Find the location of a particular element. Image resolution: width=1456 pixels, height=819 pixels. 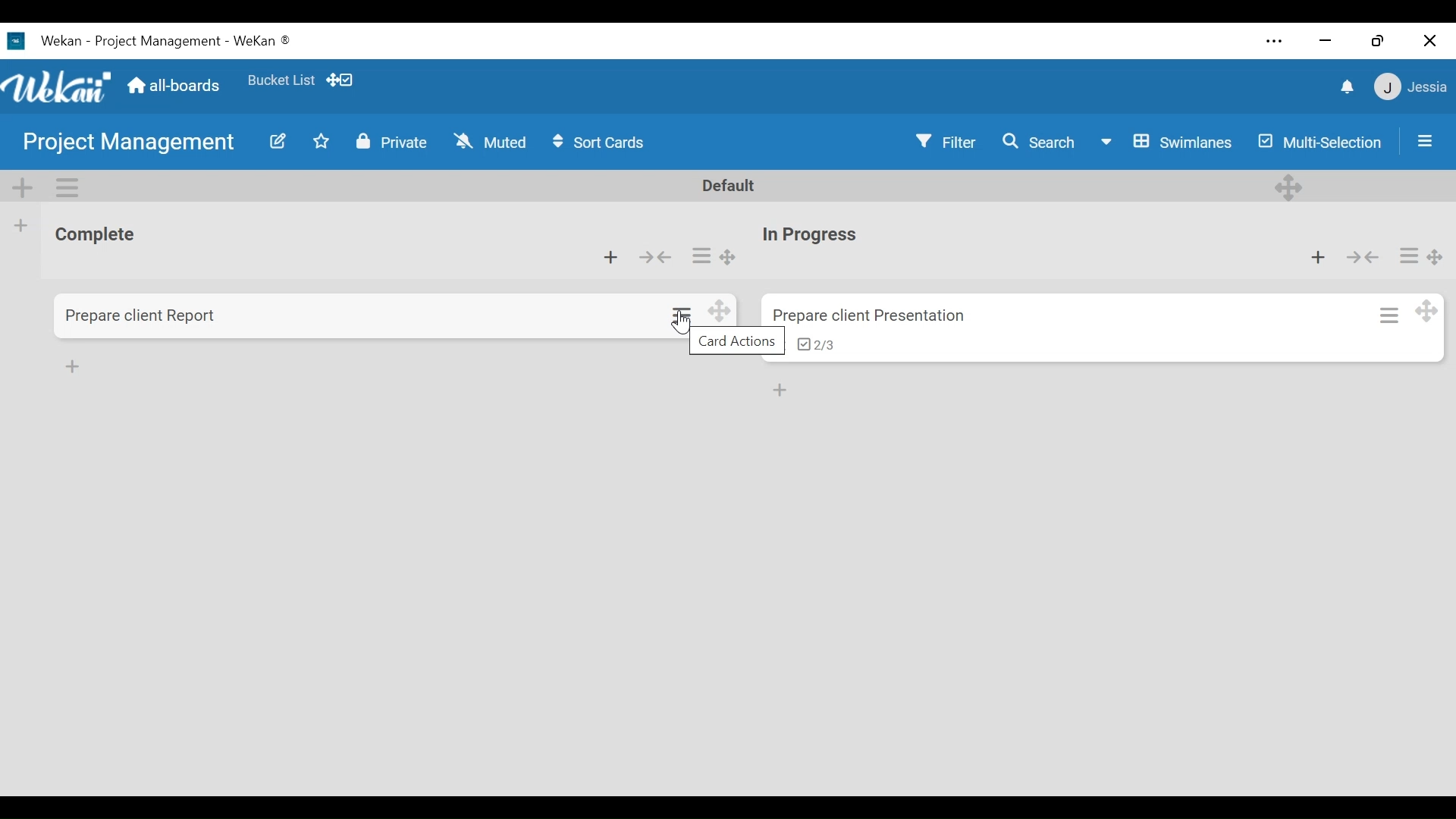

Close is located at coordinates (1432, 39).